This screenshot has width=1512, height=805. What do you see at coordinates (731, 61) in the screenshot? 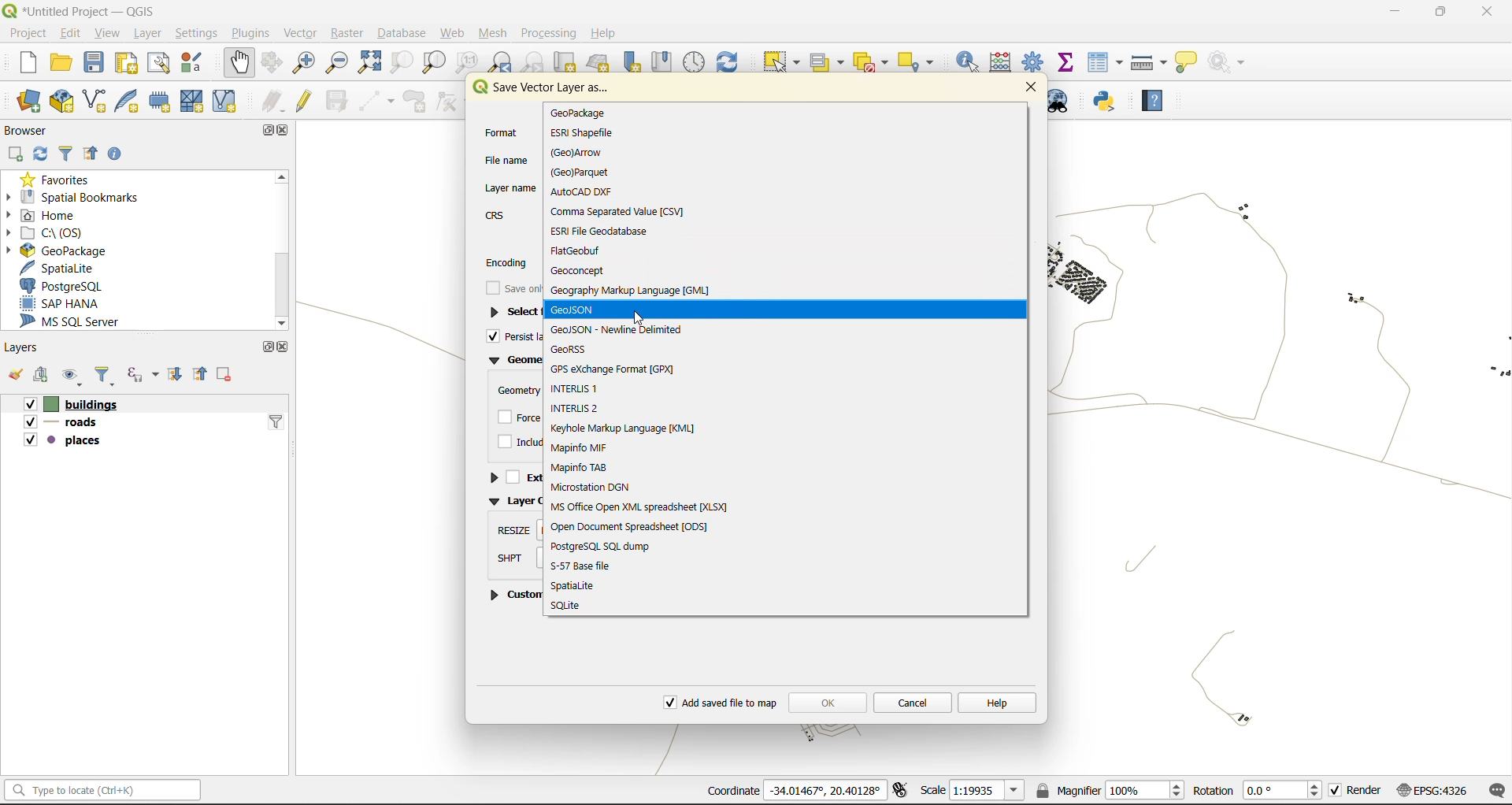
I see `refresh` at bounding box center [731, 61].